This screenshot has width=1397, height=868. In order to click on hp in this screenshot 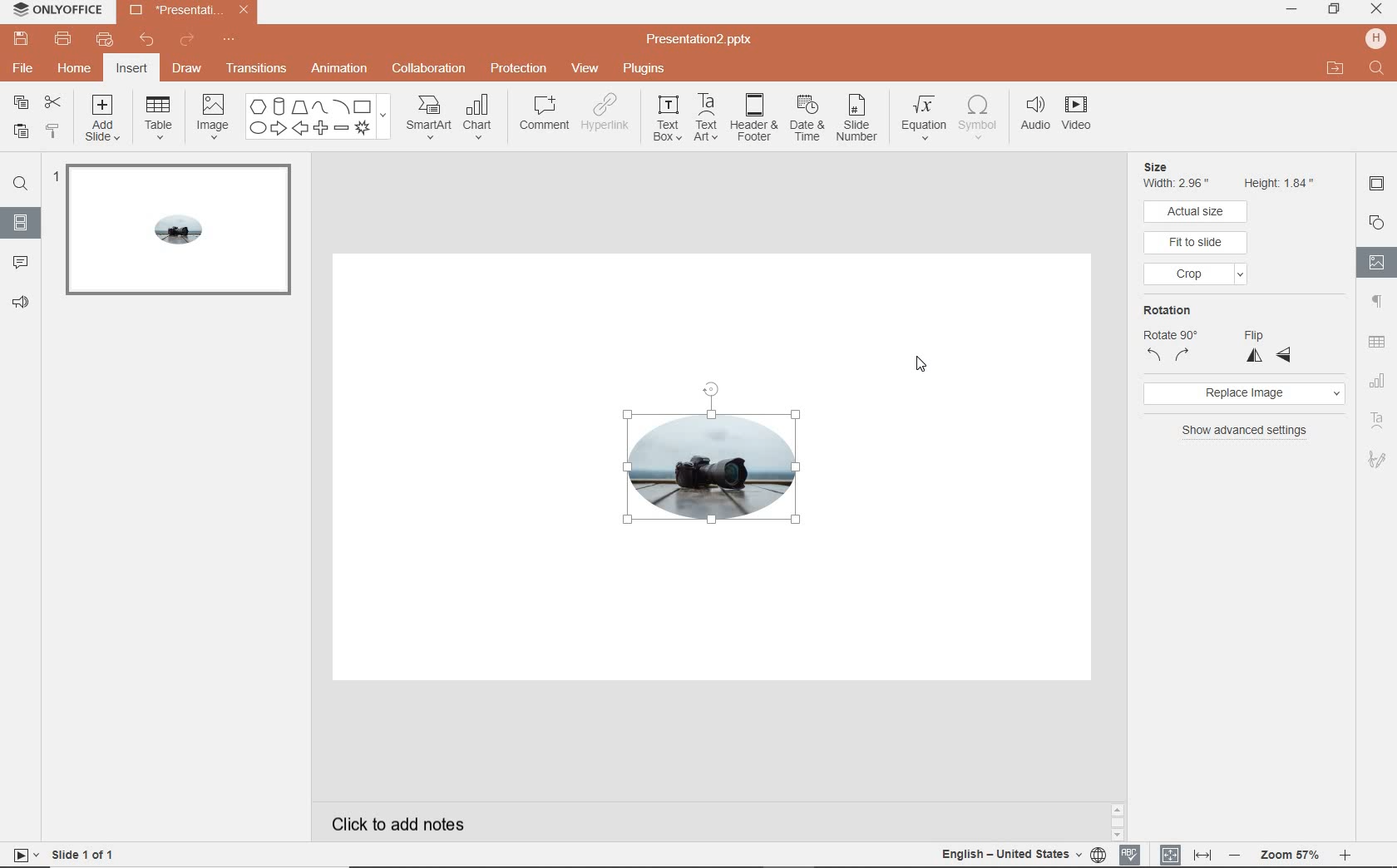, I will do `click(1375, 37)`.